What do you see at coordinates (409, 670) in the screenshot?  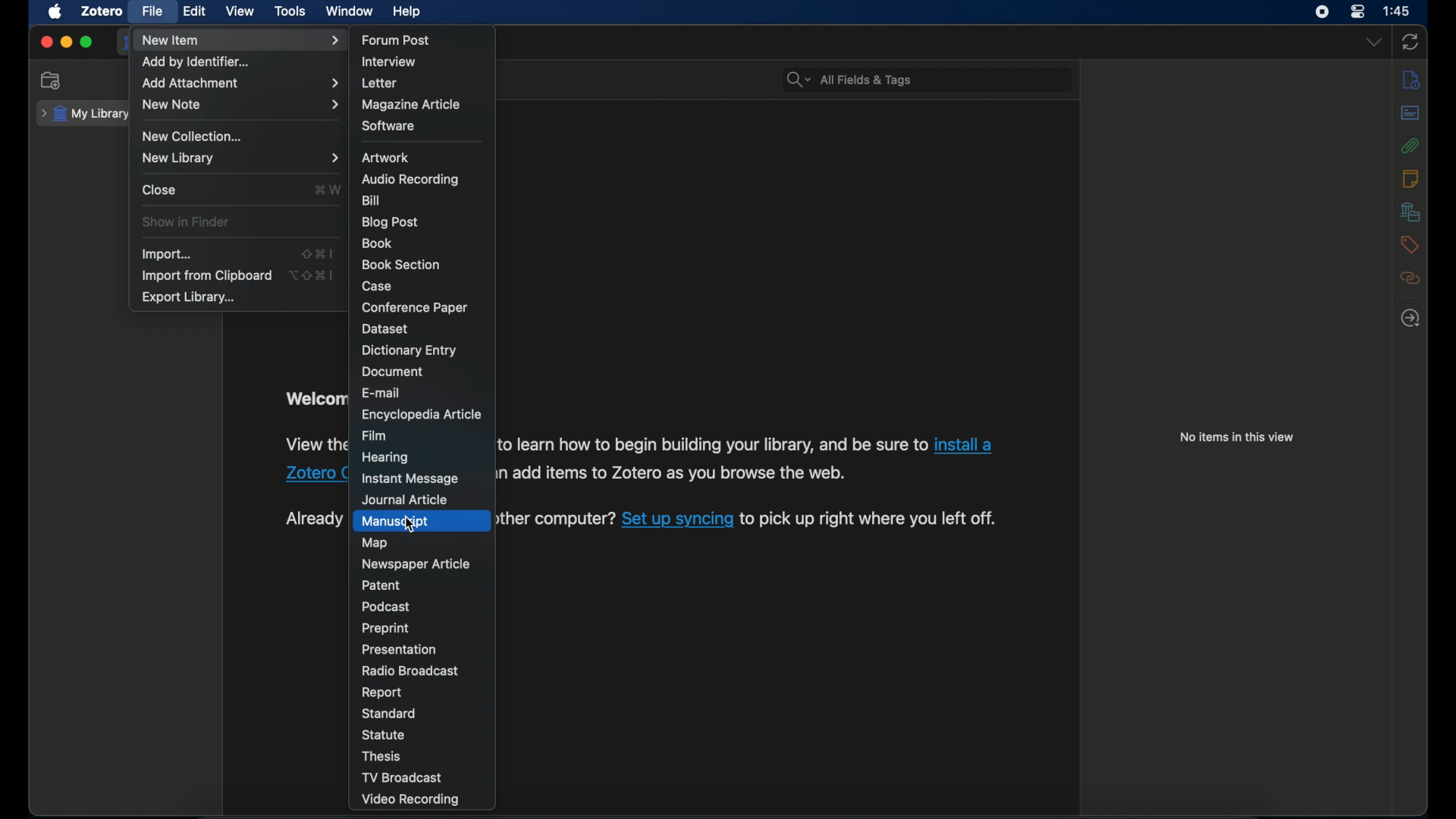 I see `radio broadcast` at bounding box center [409, 670].